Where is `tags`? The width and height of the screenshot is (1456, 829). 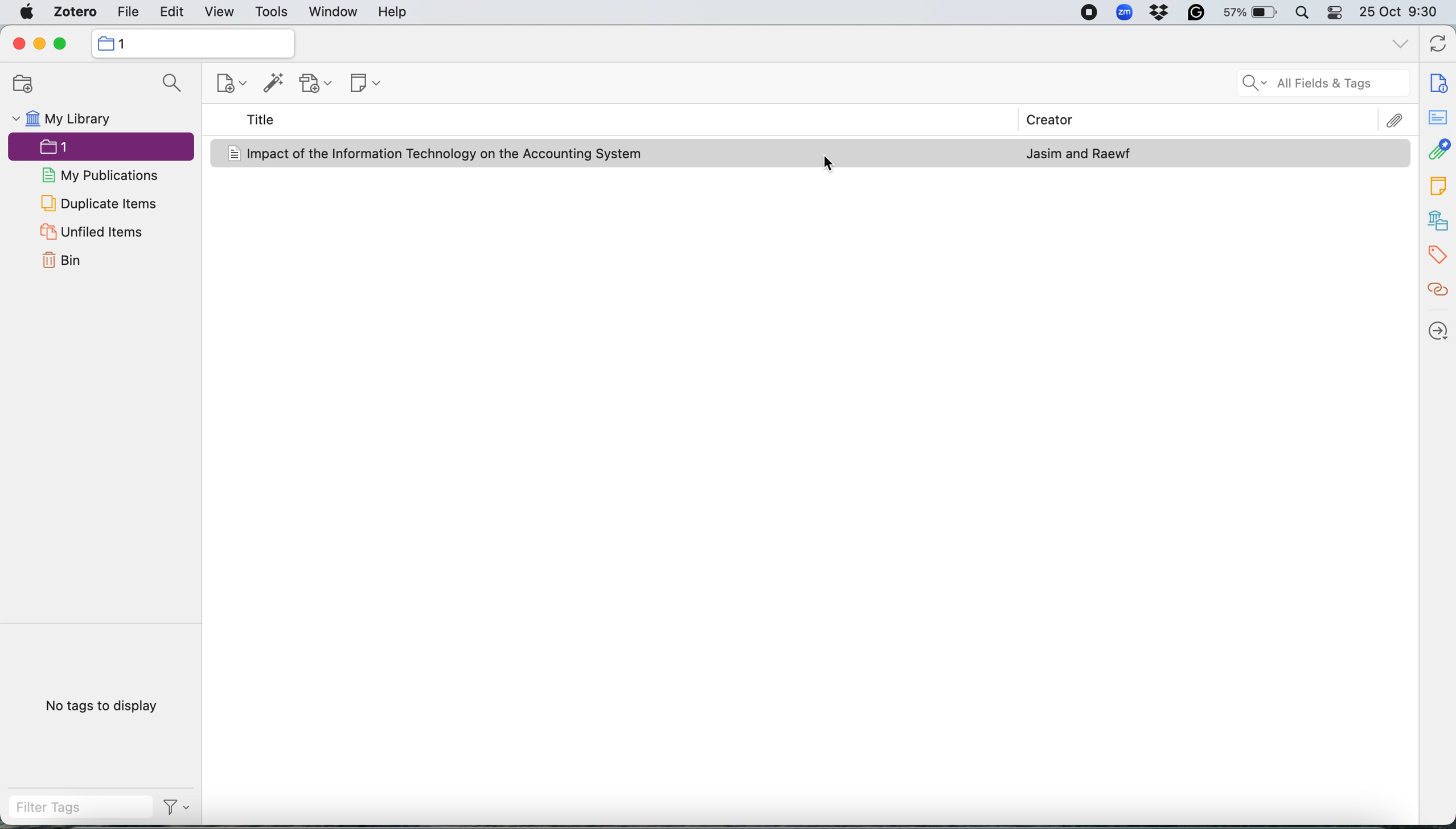 tags is located at coordinates (1436, 184).